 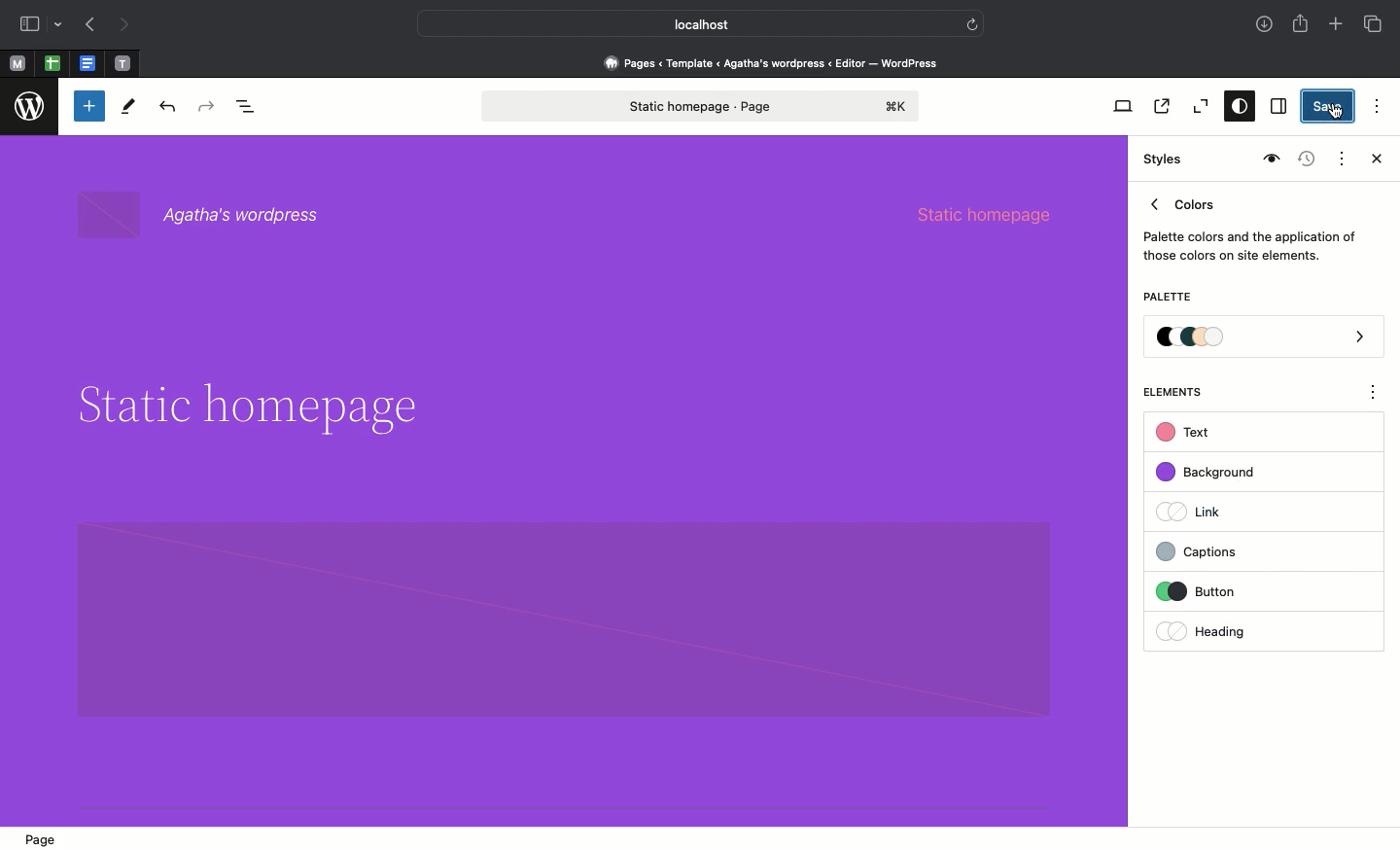 What do you see at coordinates (778, 62) in the screenshot?
I see `Pages < Template <Agatha's wordpress < editor - wordpress` at bounding box center [778, 62].